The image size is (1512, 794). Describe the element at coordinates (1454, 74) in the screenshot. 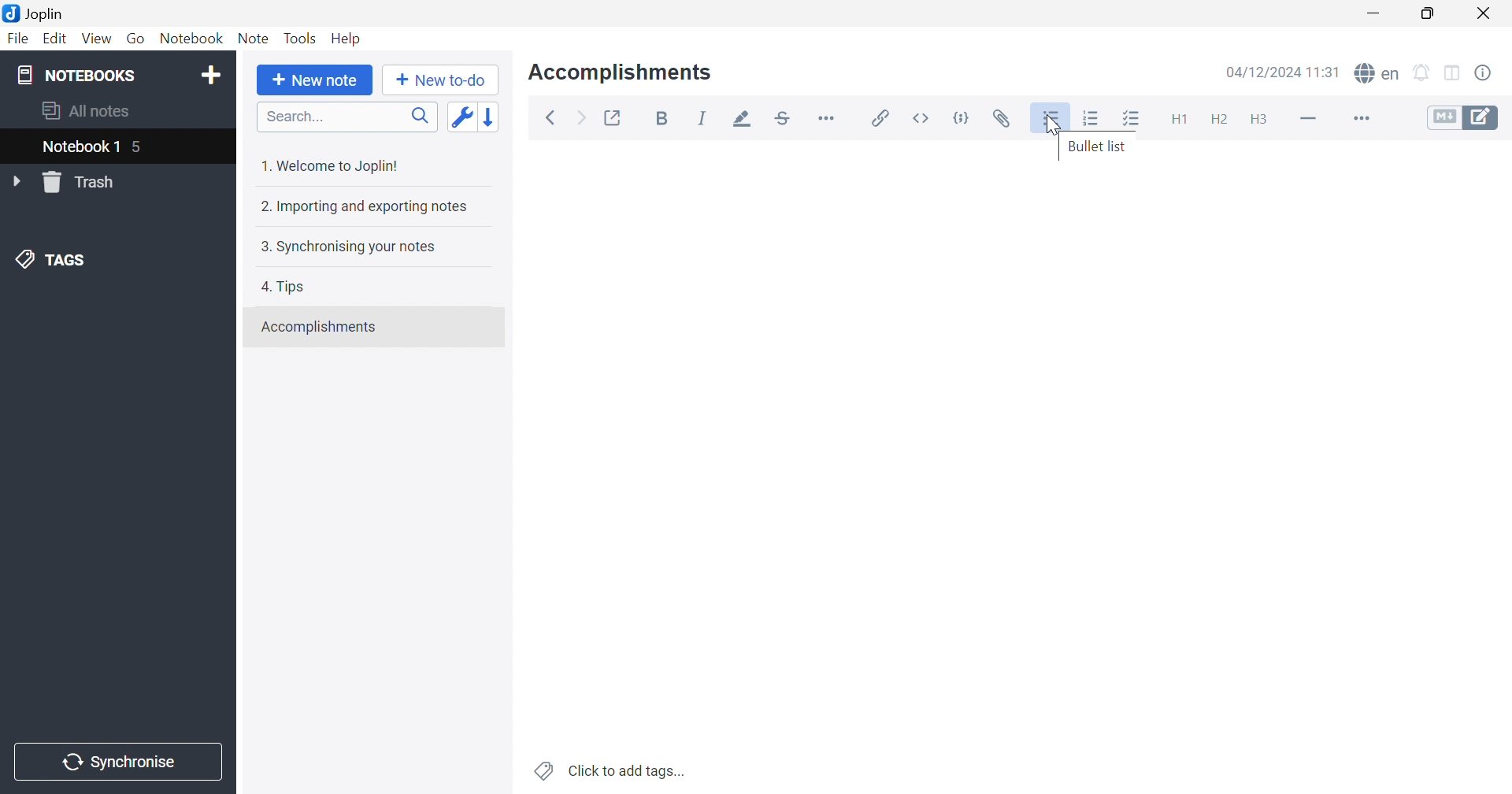

I see `Toggle editor layout` at that location.